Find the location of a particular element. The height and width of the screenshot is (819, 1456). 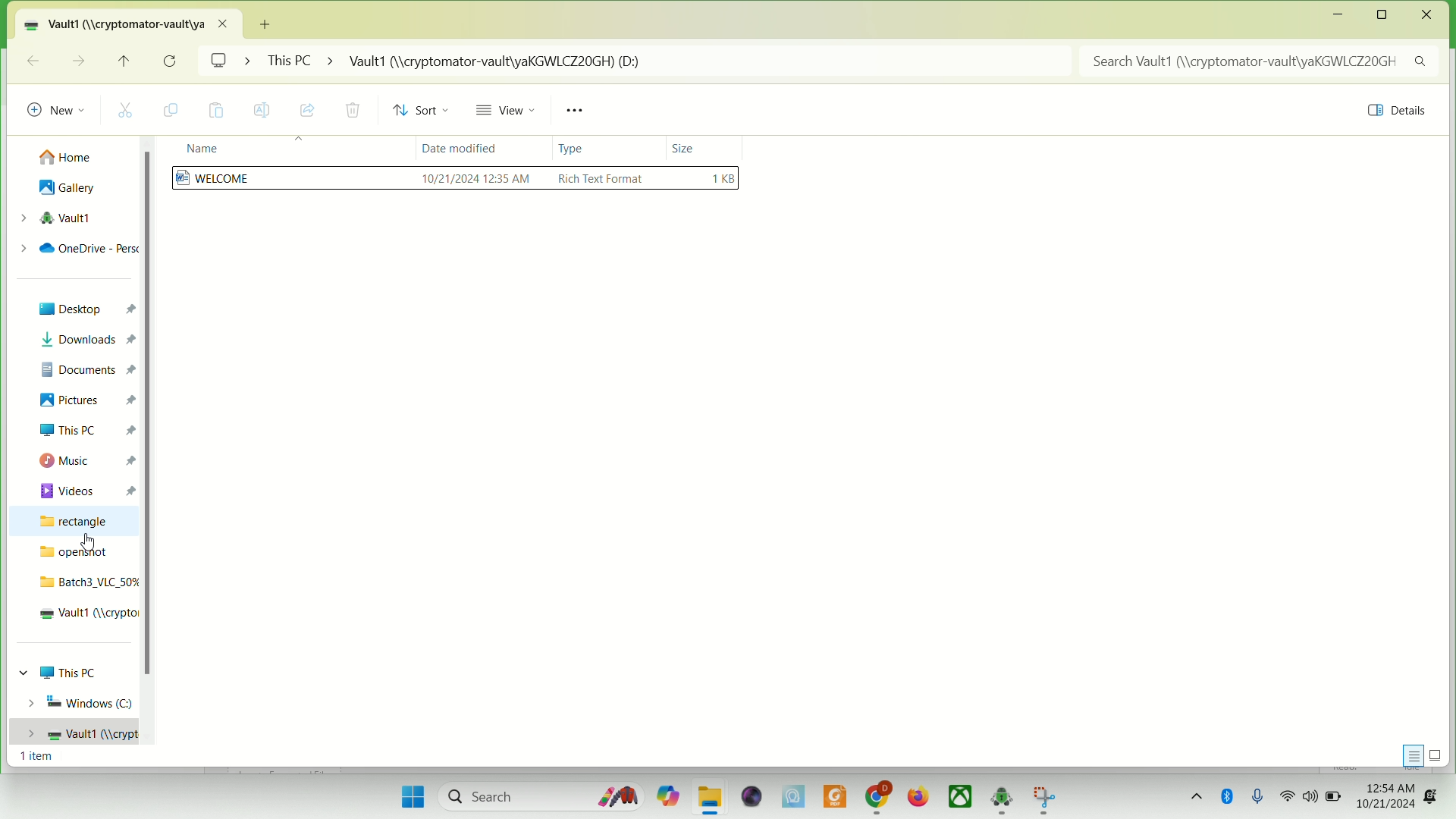

delete is located at coordinates (352, 111).